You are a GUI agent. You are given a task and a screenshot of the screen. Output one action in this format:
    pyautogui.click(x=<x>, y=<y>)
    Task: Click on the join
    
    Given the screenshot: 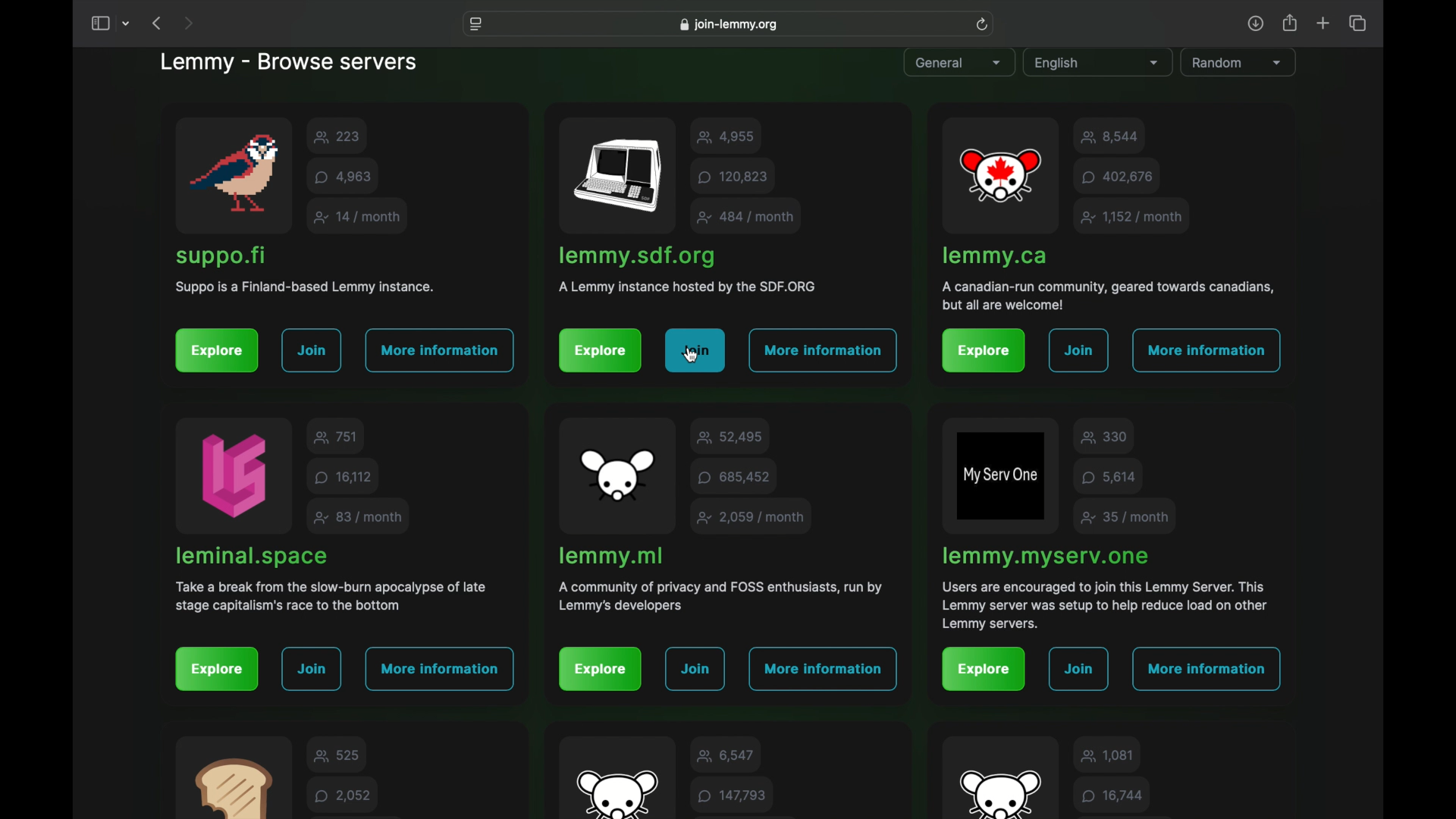 What is the action you would take?
    pyautogui.click(x=1079, y=670)
    